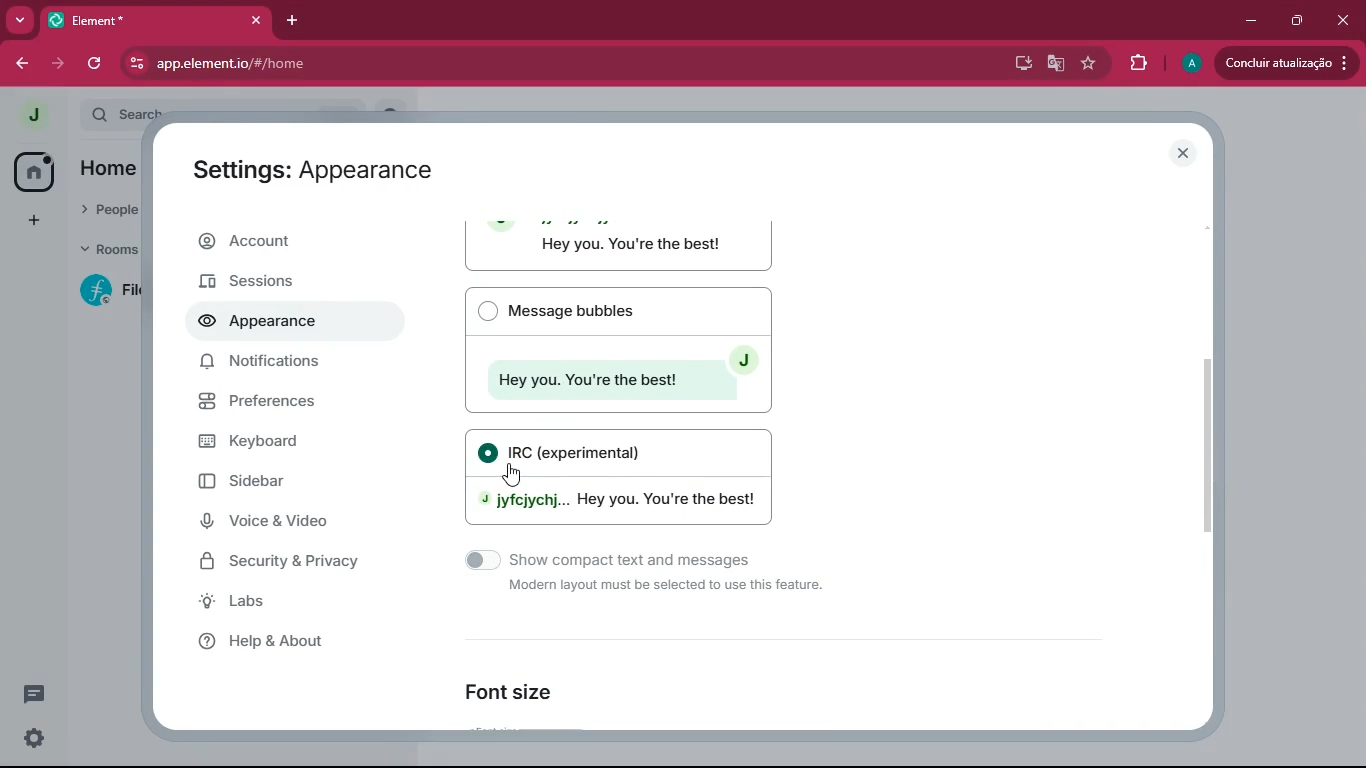 This screenshot has height=768, width=1366. I want to click on more, so click(20, 19).